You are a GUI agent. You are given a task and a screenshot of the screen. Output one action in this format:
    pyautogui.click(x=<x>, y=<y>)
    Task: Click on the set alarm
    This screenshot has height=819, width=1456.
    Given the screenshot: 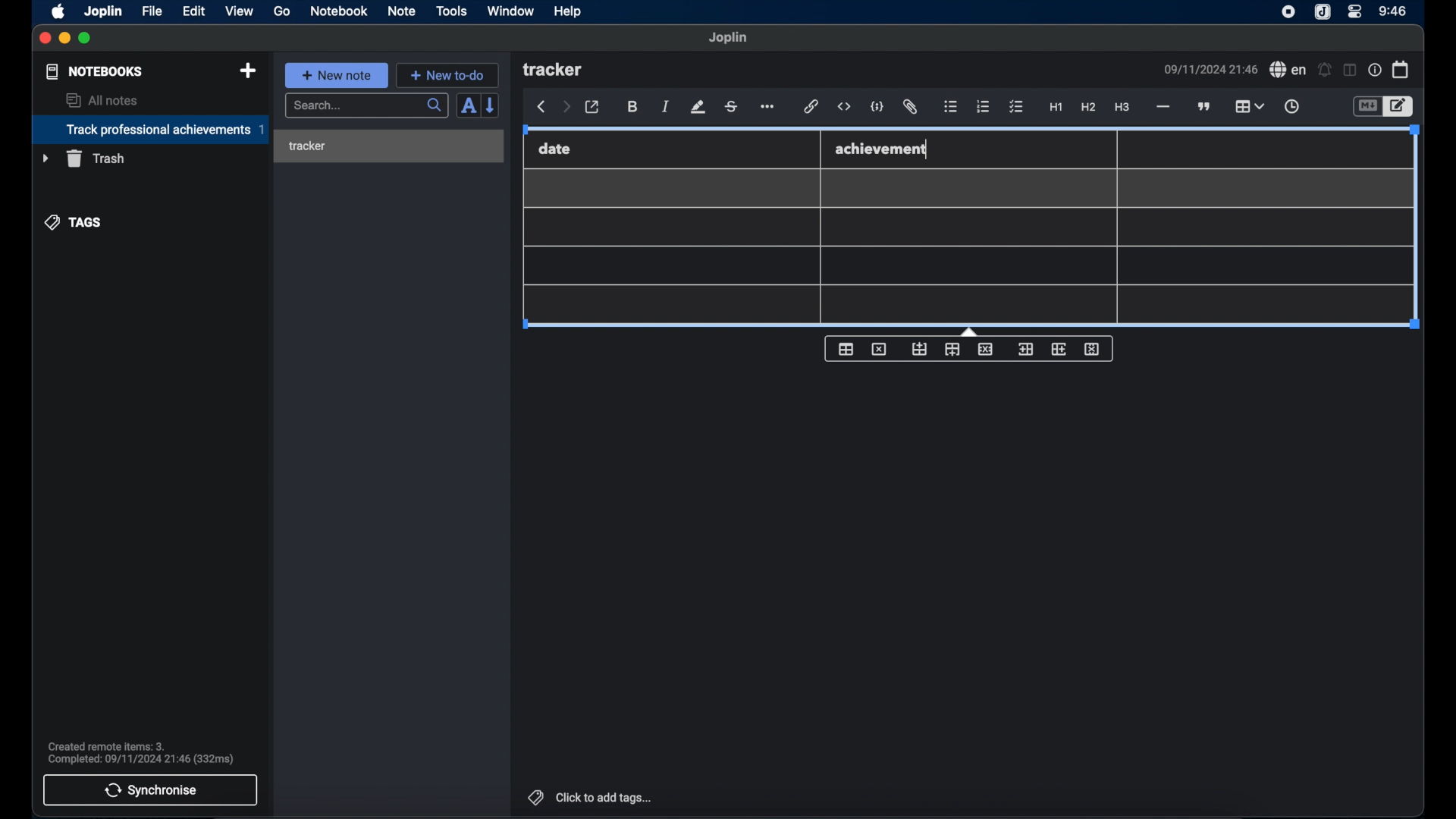 What is the action you would take?
    pyautogui.click(x=1324, y=69)
    